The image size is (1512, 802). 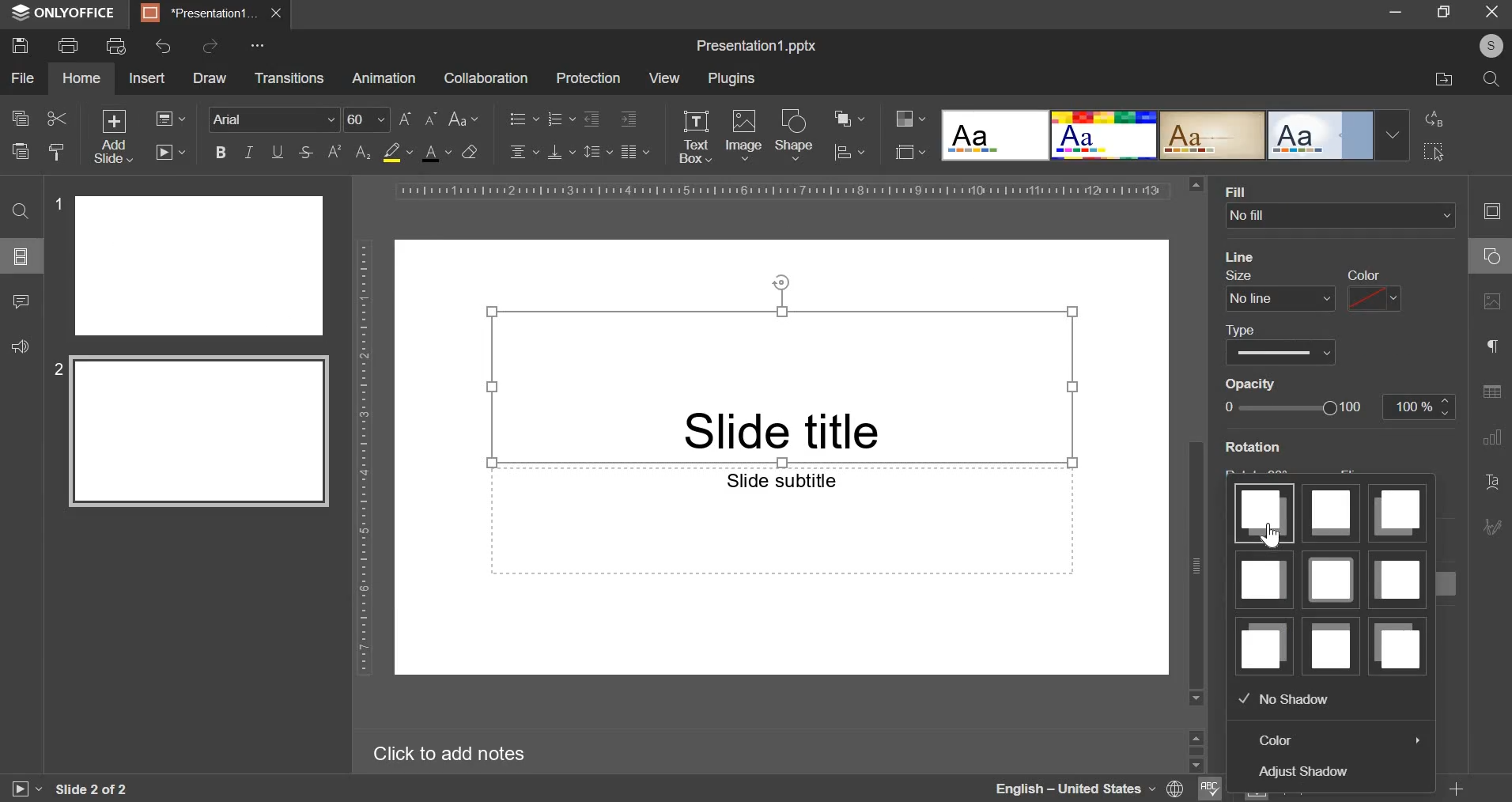 I want to click on chart settings, so click(x=1492, y=437).